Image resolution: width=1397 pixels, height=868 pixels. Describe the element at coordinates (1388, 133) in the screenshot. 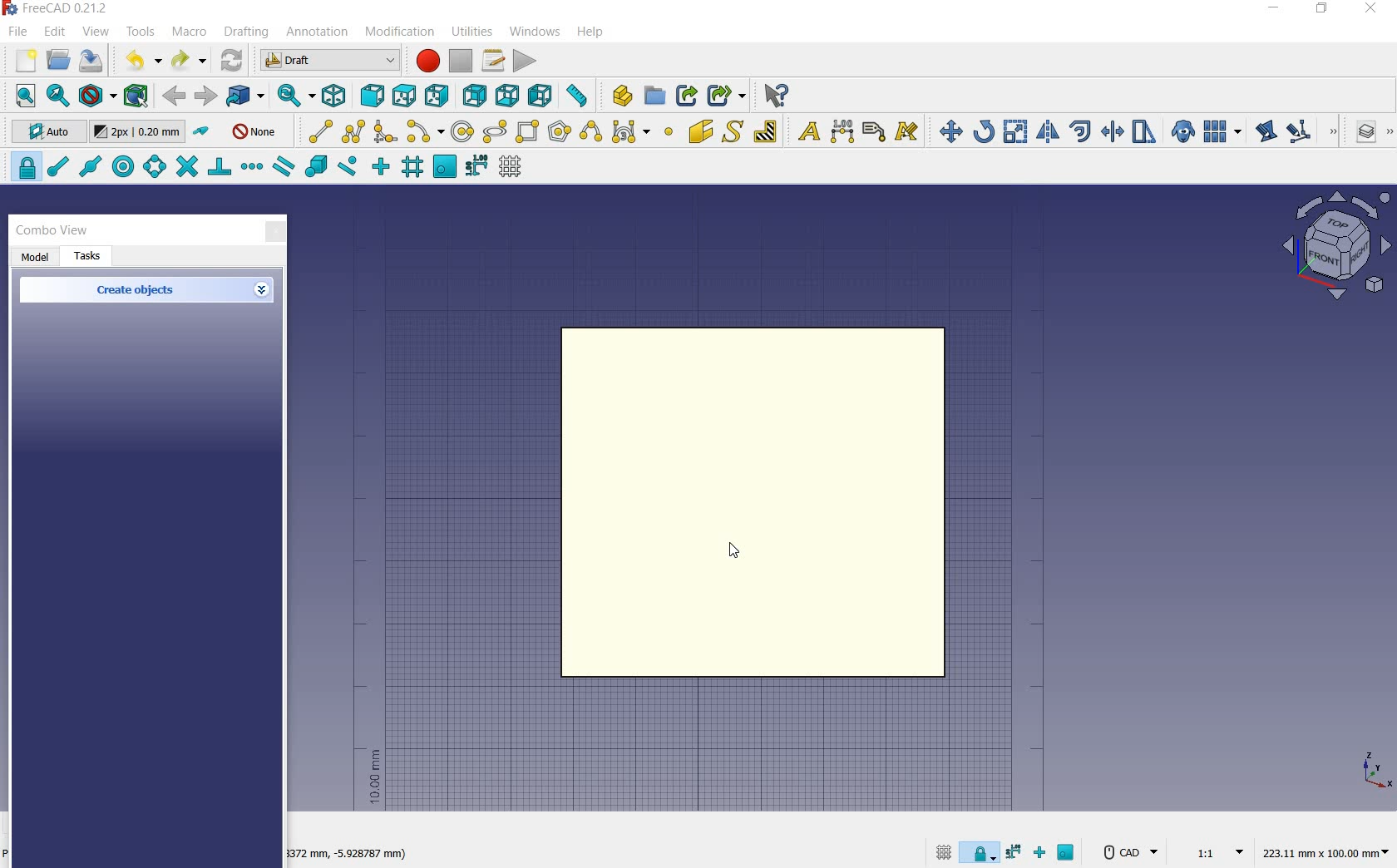

I see `draft utility tools` at that location.